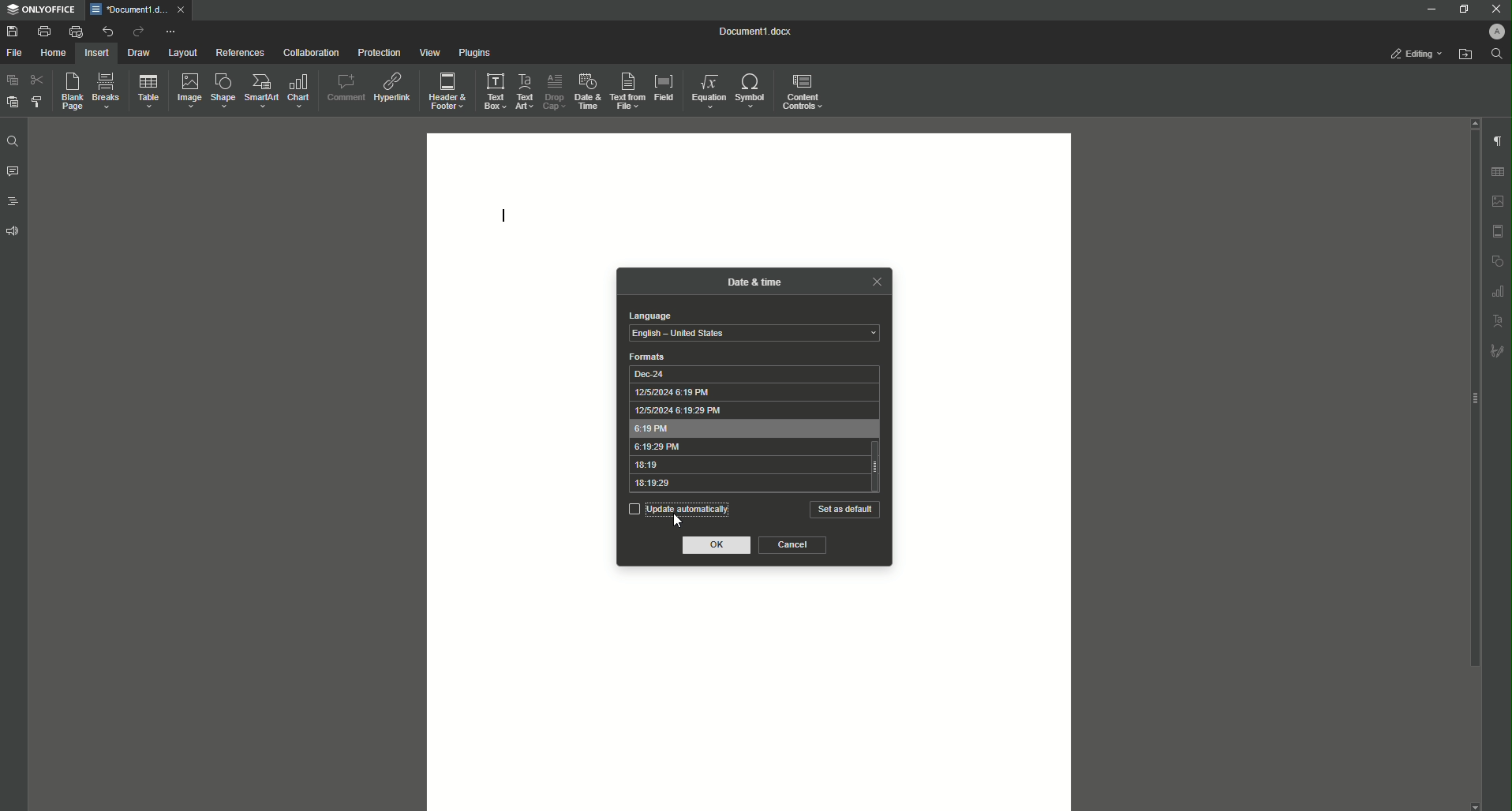 Image resolution: width=1512 pixels, height=811 pixels. Describe the element at coordinates (747, 373) in the screenshot. I see `Dec-24` at that location.